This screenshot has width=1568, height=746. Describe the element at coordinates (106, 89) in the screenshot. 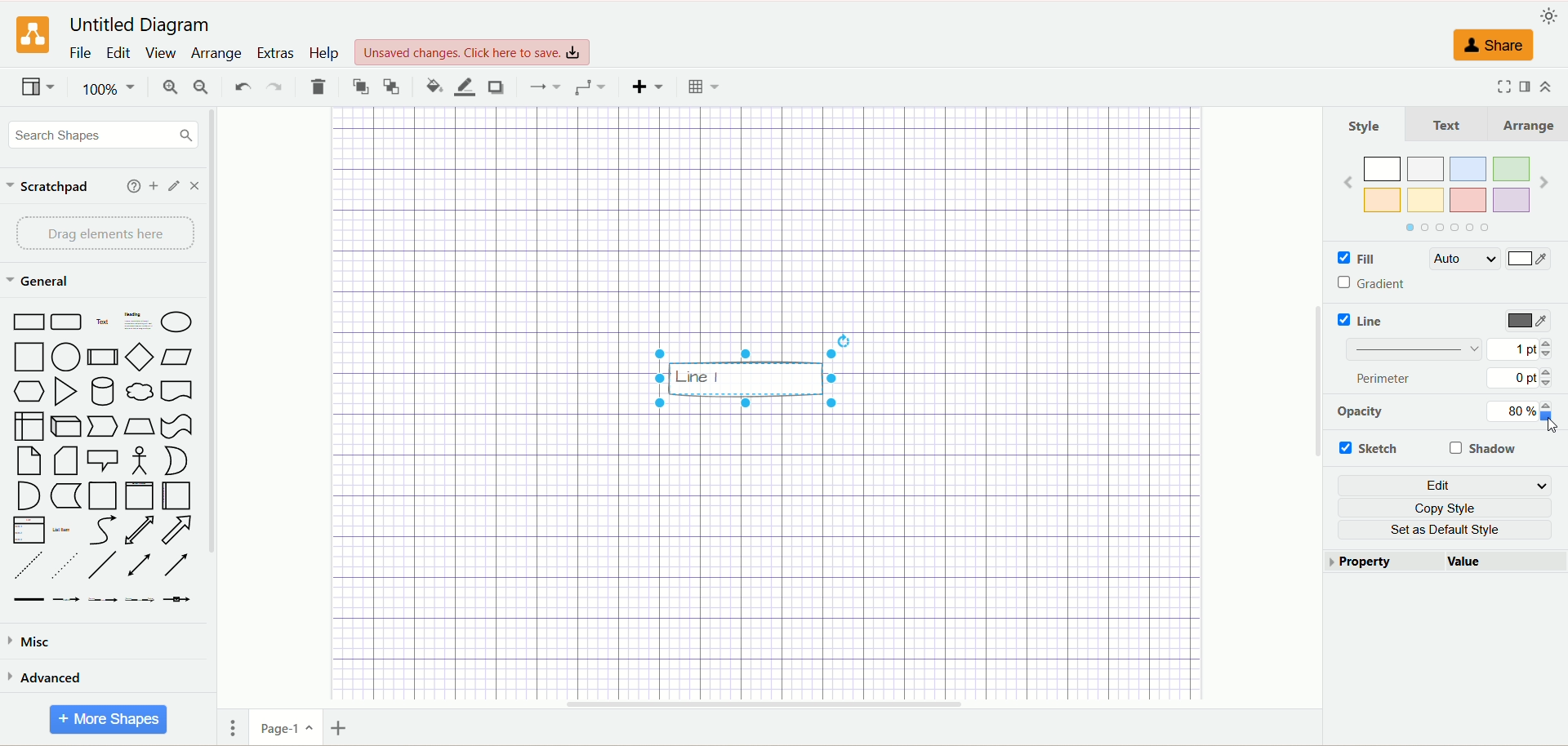

I see `100%` at that location.